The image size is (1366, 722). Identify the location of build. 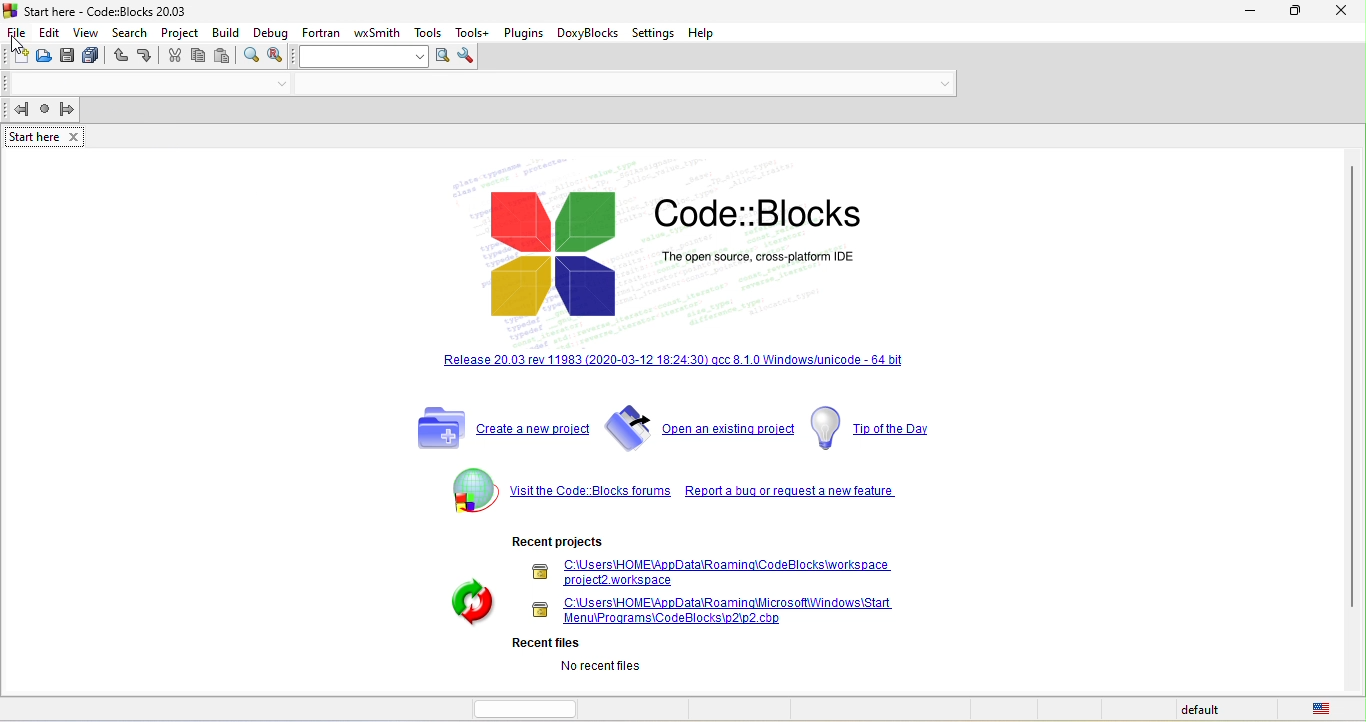
(226, 32).